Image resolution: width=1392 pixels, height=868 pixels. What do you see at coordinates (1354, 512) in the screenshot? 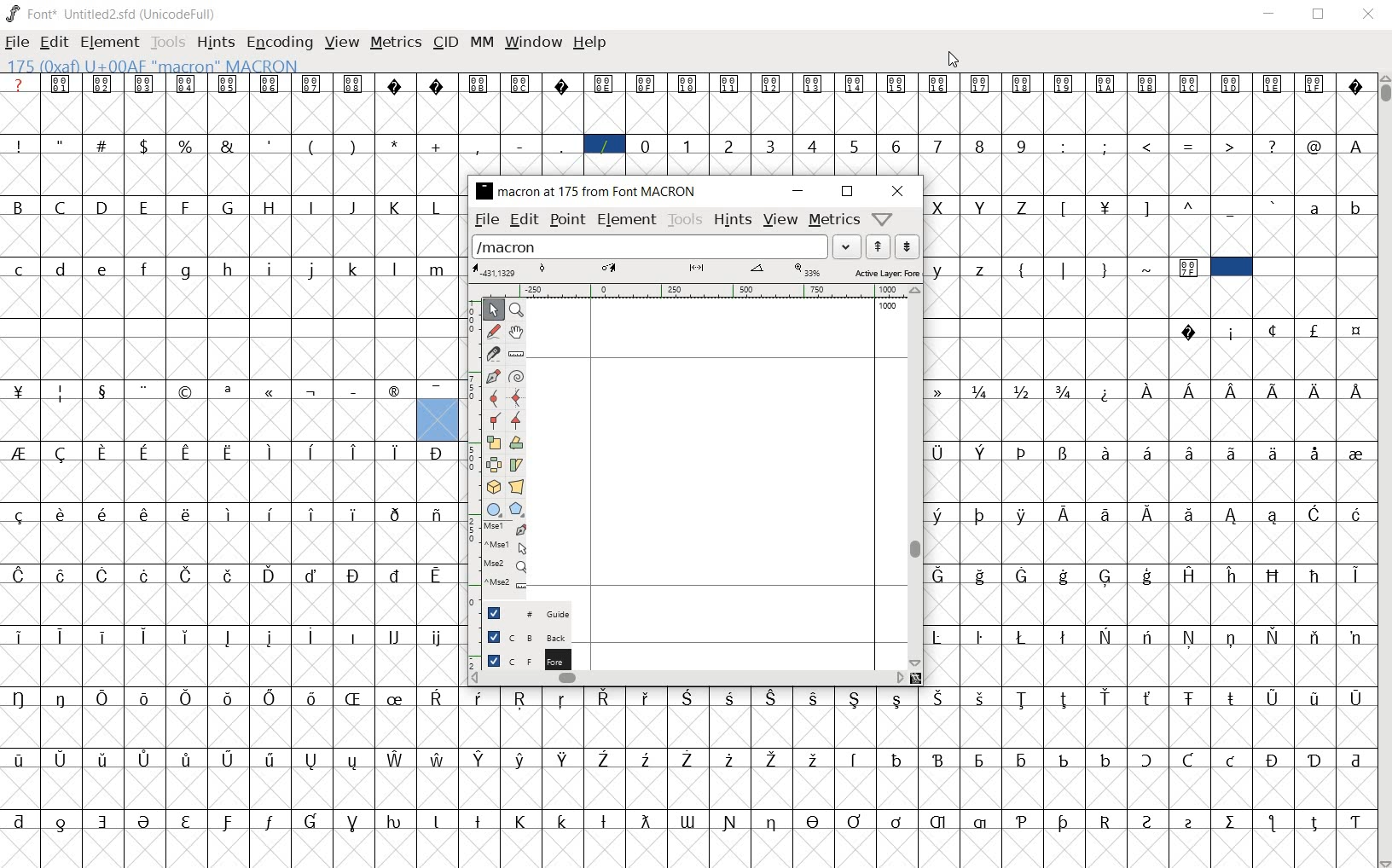
I see `Symbol` at bounding box center [1354, 512].